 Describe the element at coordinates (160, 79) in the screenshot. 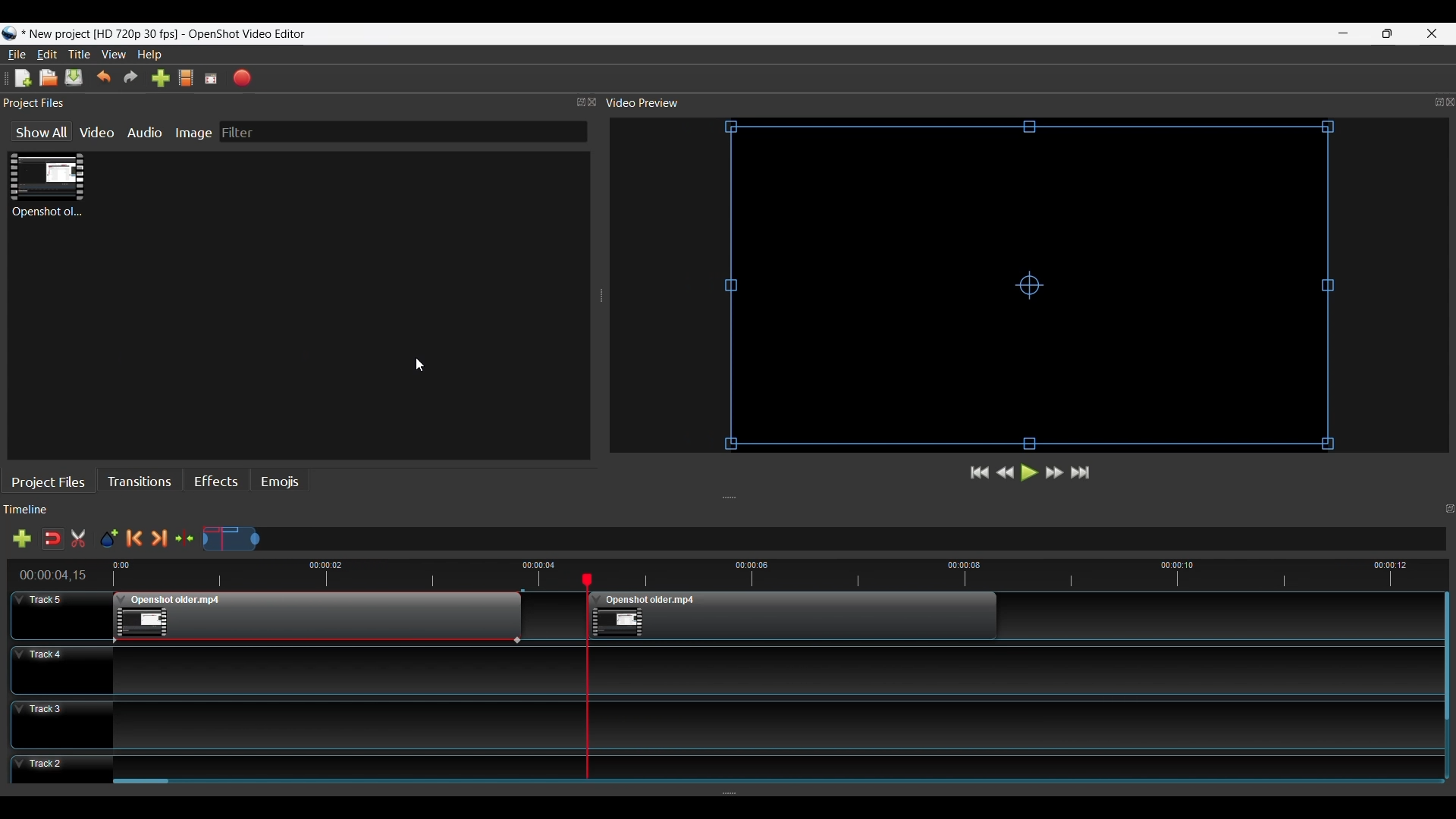

I see `Import Files` at that location.